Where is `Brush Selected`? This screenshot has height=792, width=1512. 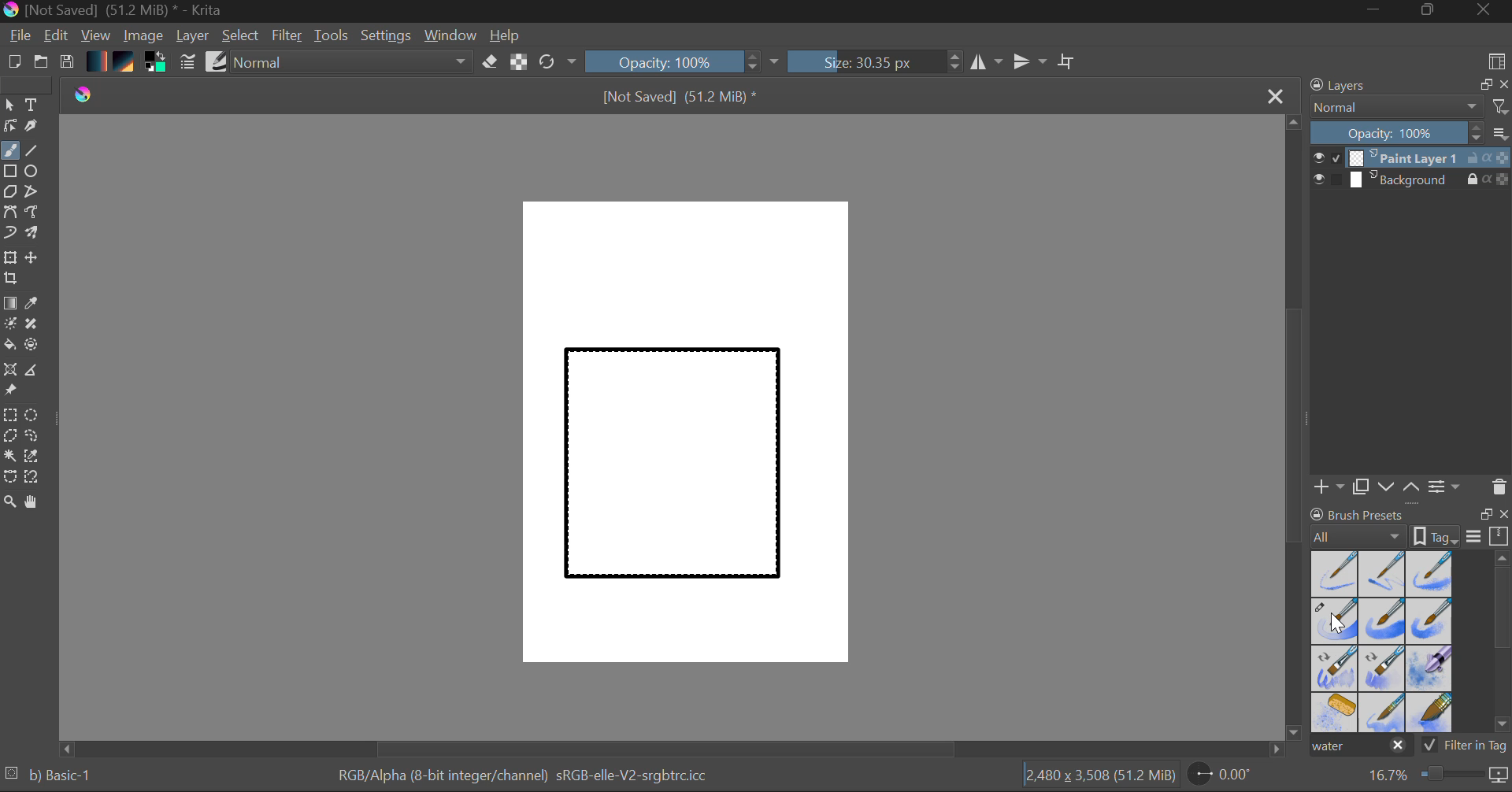
Brush Selected is located at coordinates (60, 777).